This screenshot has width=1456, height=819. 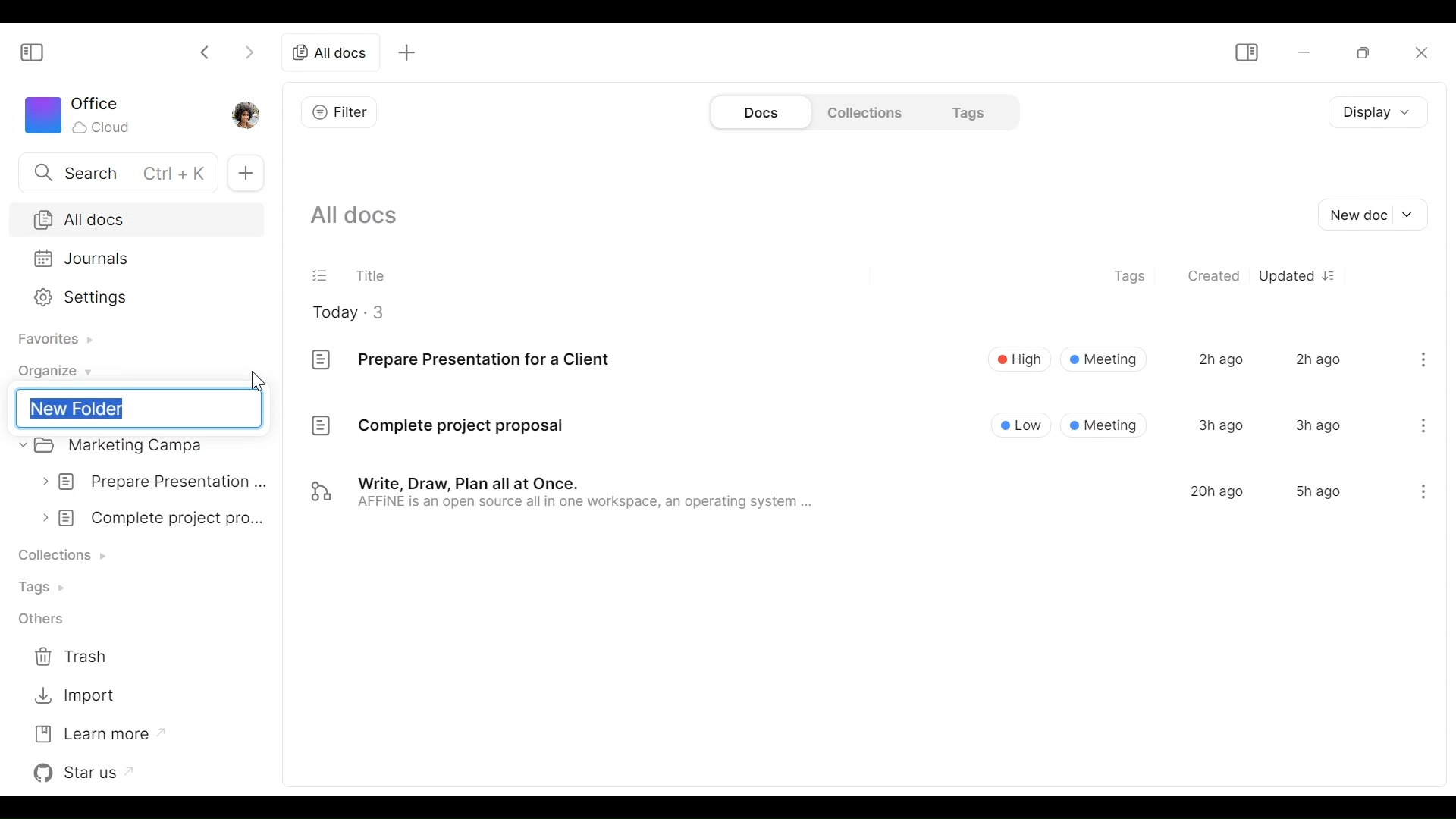 I want to click on 2h ago, so click(x=1318, y=358).